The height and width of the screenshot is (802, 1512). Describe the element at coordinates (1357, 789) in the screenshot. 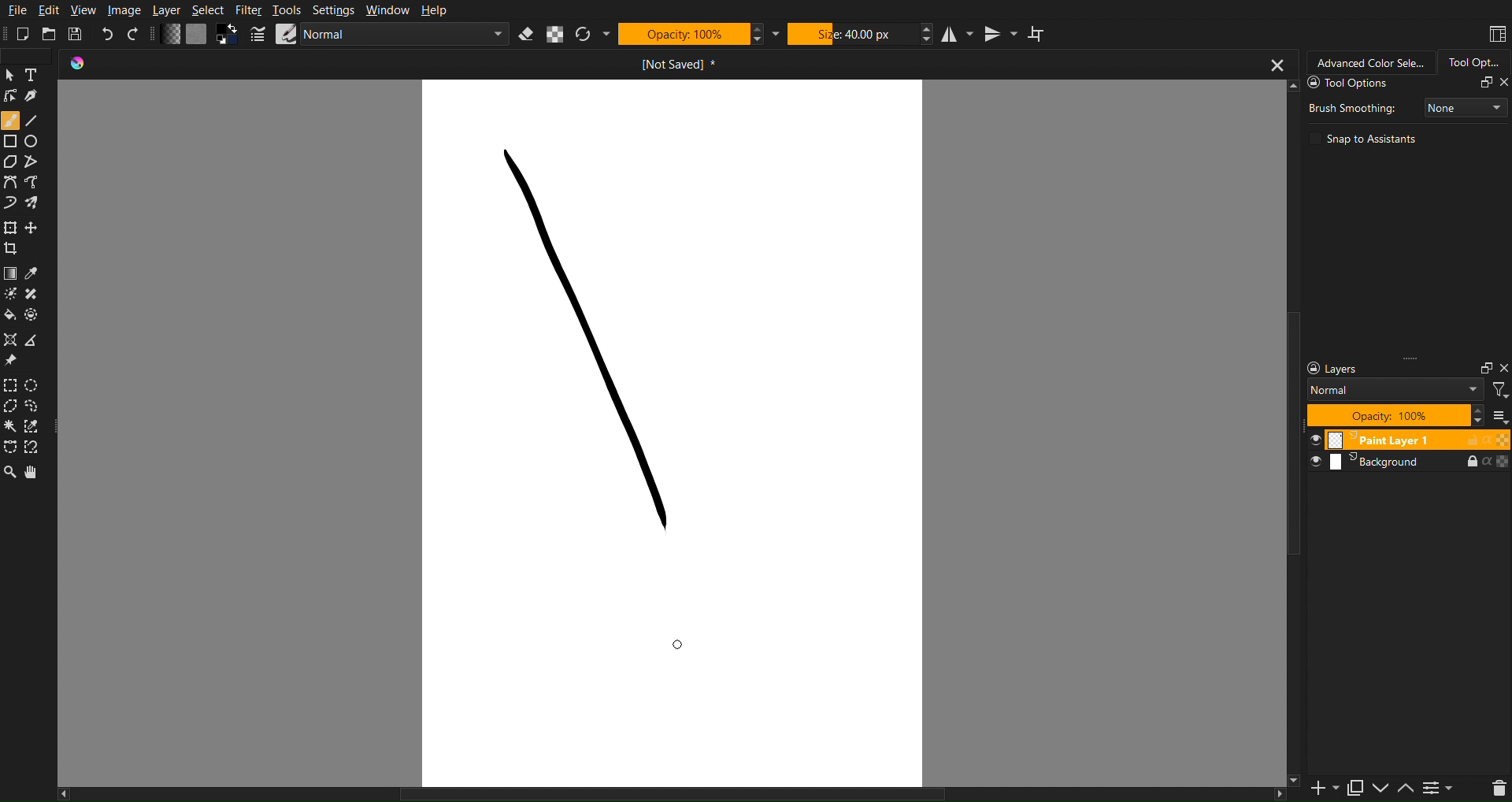

I see `Copy` at that location.